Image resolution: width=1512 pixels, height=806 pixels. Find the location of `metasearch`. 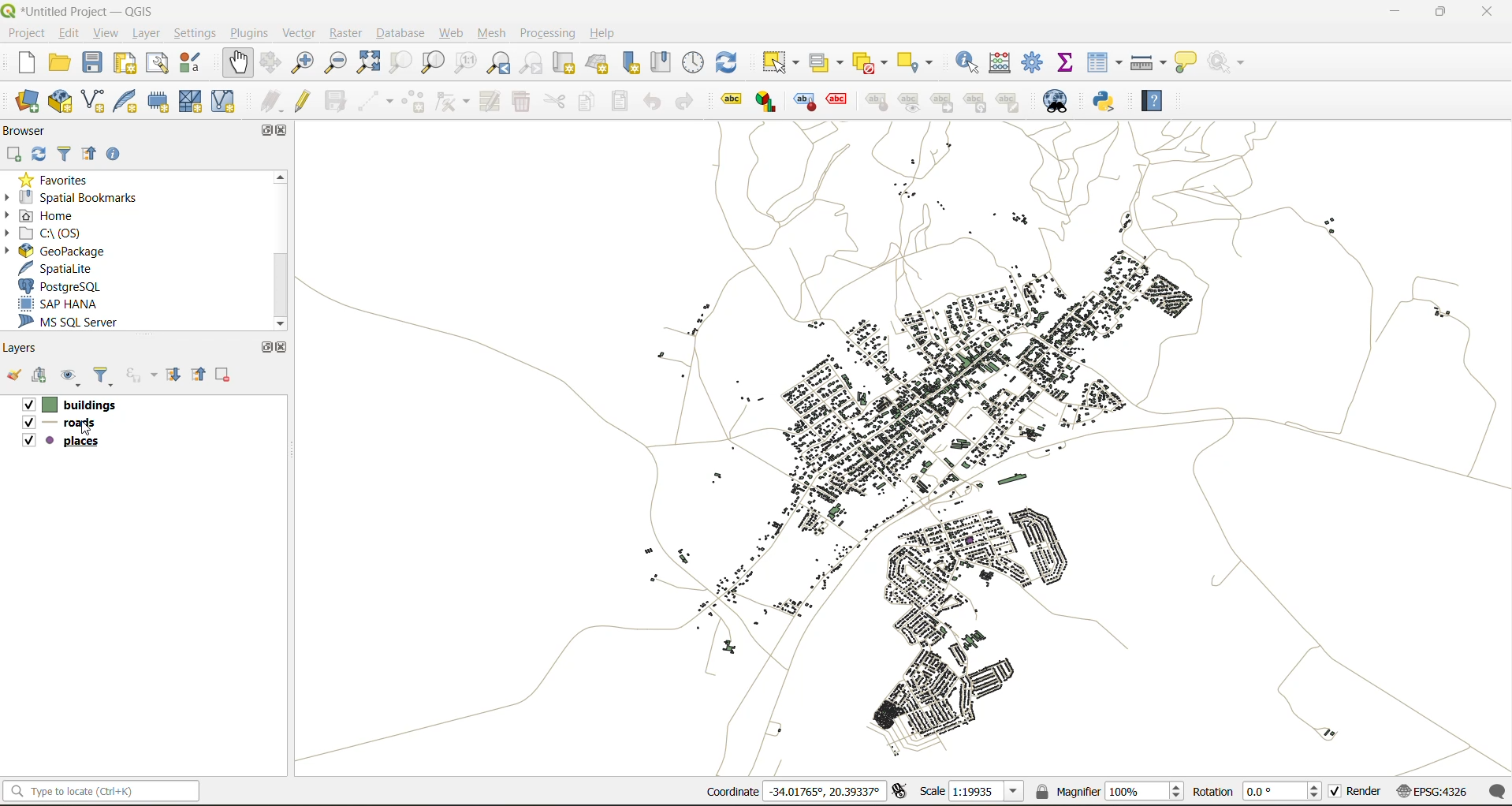

metasearch is located at coordinates (1061, 99).